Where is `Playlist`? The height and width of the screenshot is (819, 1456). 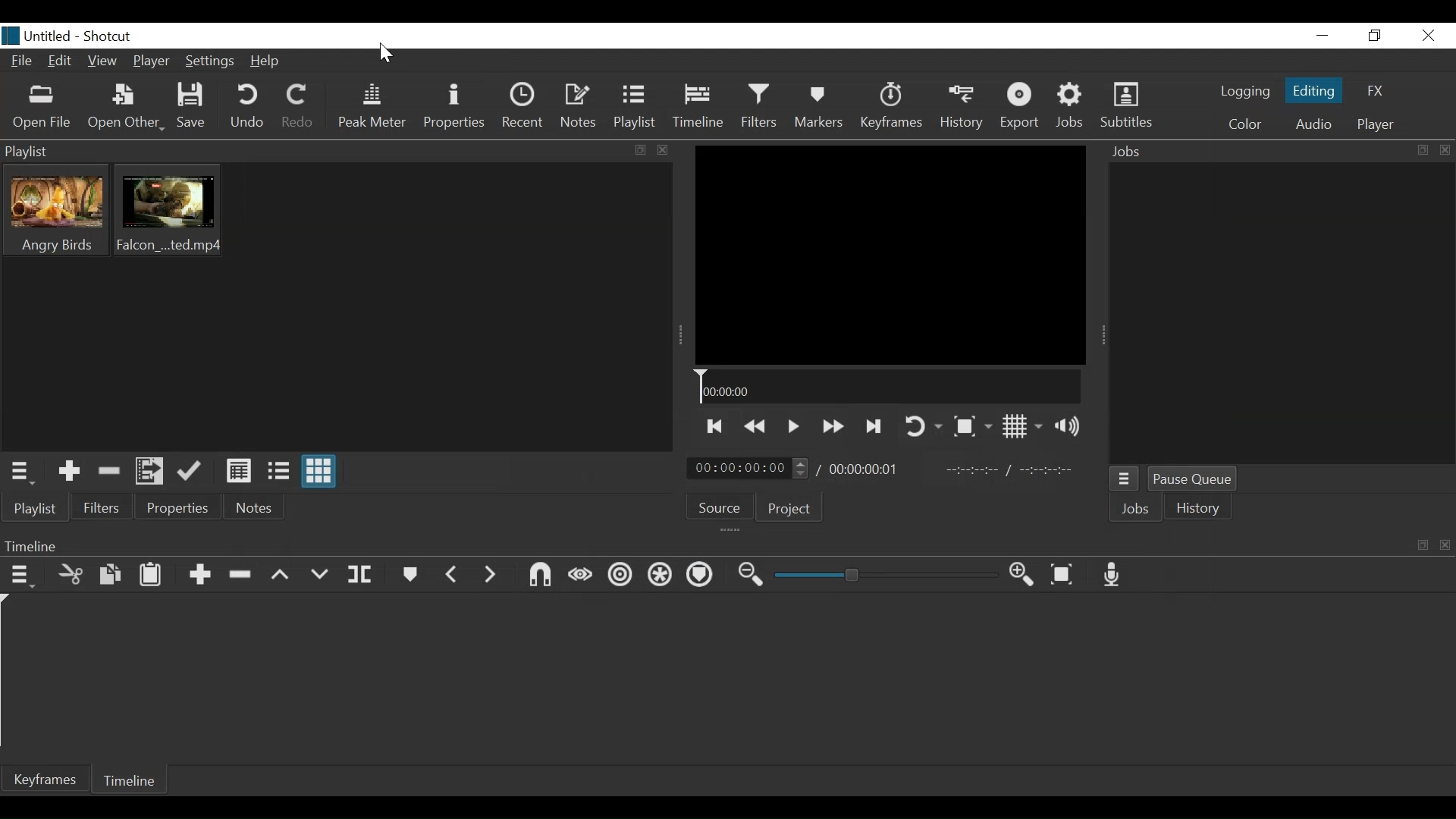 Playlist is located at coordinates (636, 106).